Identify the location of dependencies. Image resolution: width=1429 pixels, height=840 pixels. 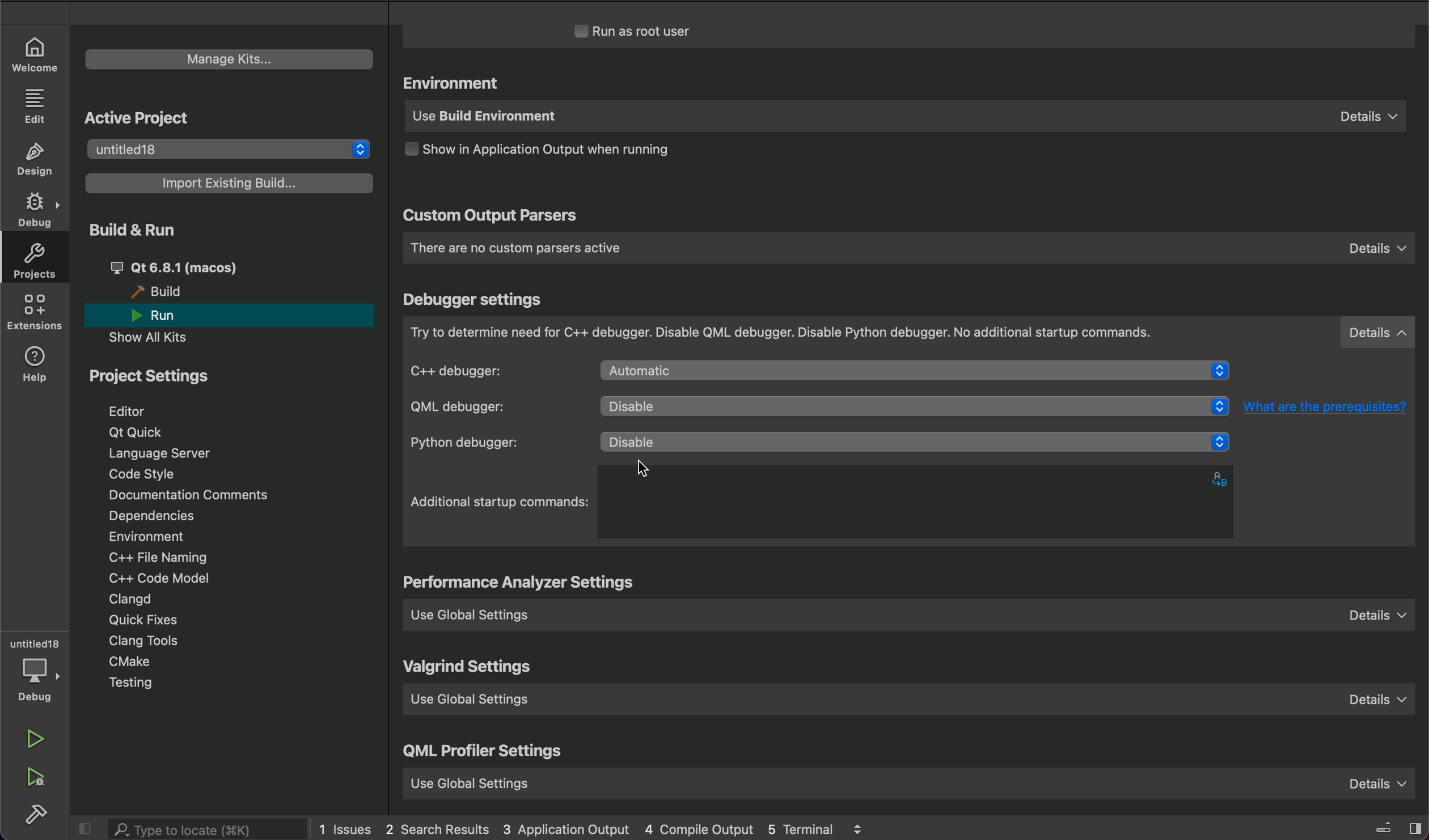
(150, 515).